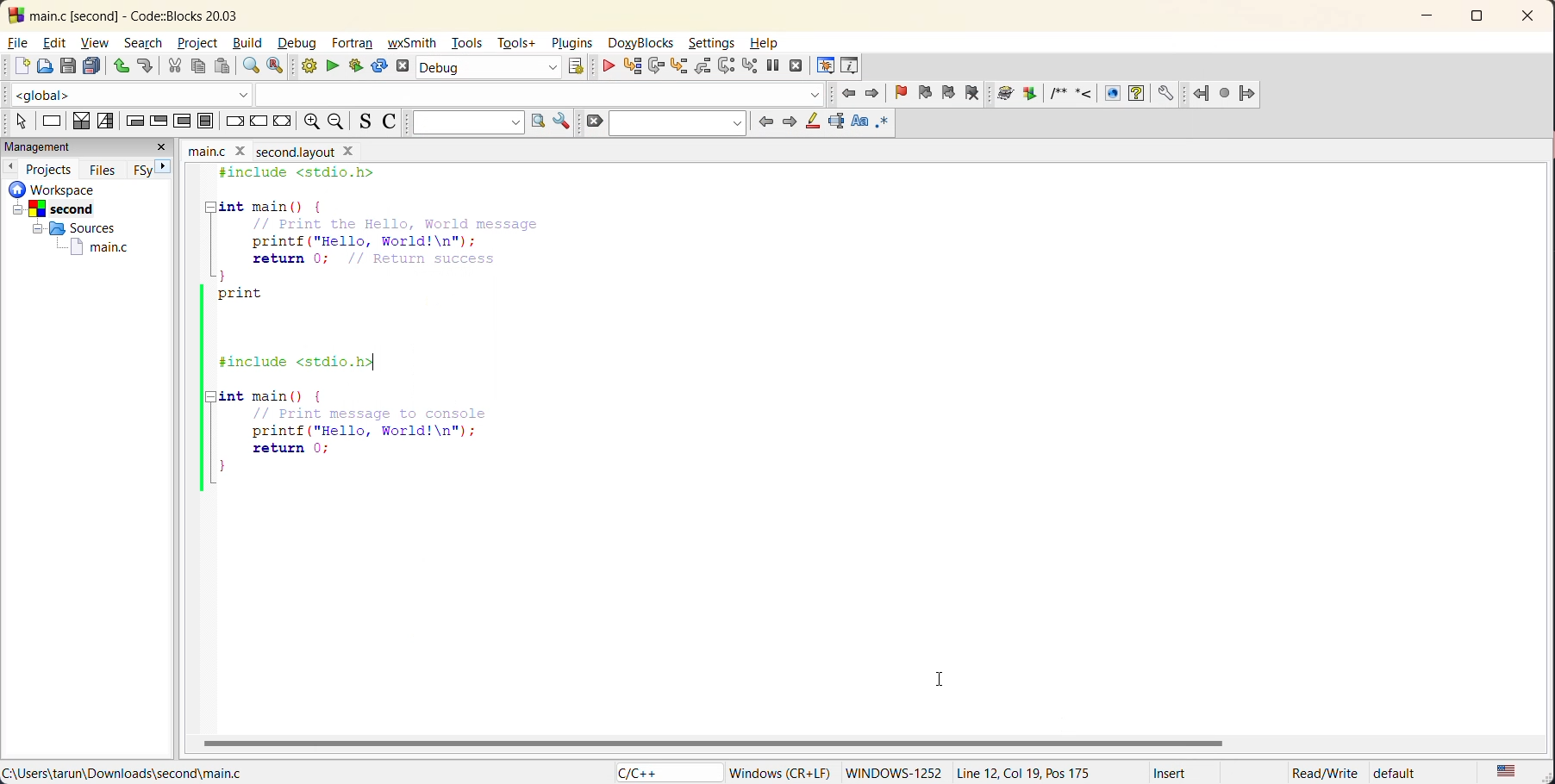  Describe the element at coordinates (172, 65) in the screenshot. I see `cut` at that location.